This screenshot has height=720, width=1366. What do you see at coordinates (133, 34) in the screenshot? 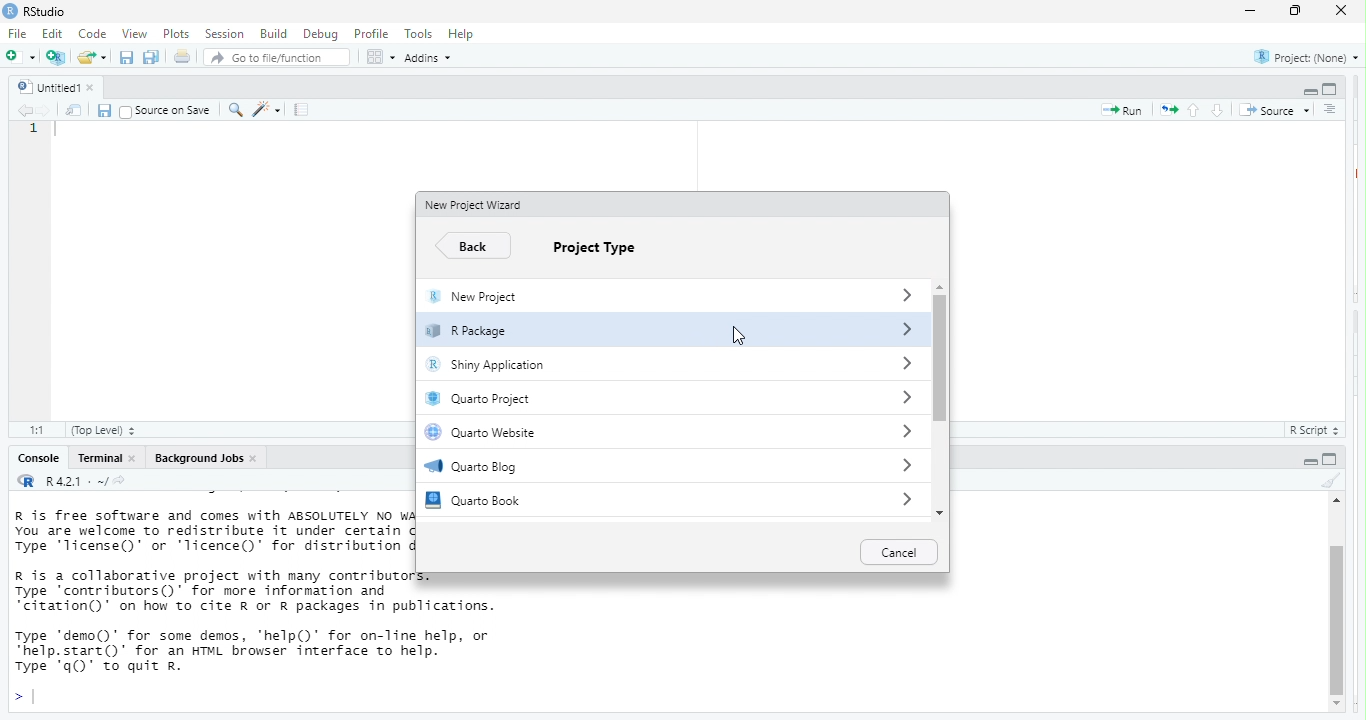
I see `View` at bounding box center [133, 34].